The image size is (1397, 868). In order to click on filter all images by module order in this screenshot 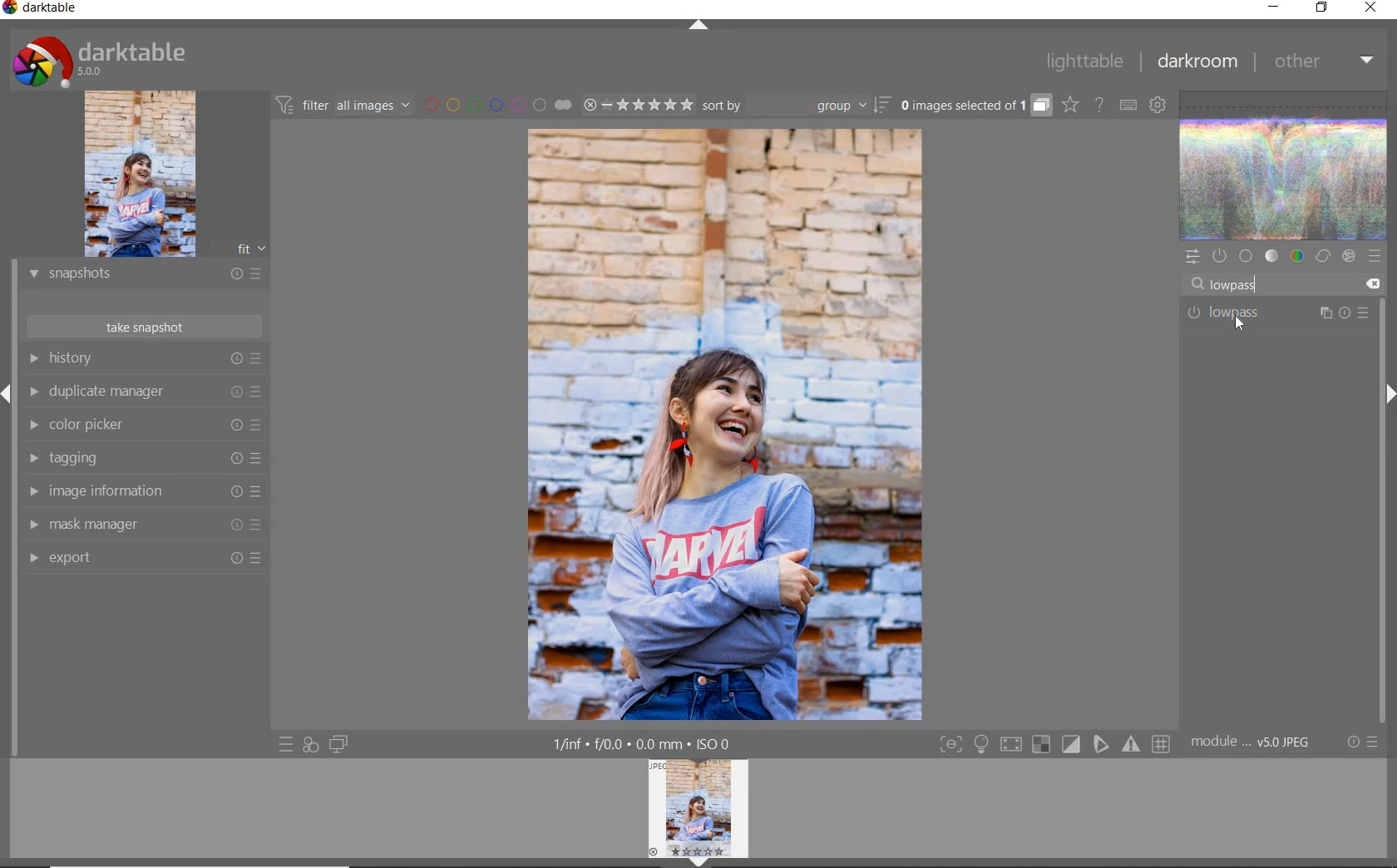, I will do `click(344, 106)`.